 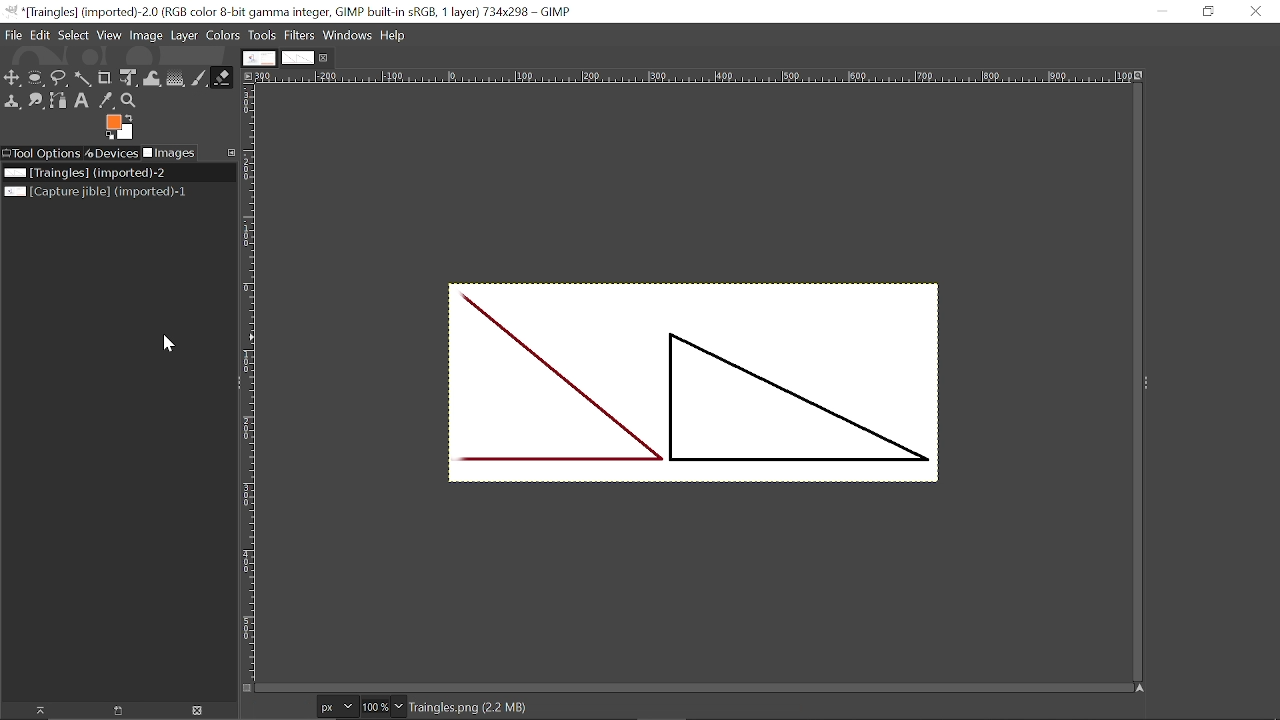 What do you see at coordinates (168, 342) in the screenshot?
I see `Cursor` at bounding box center [168, 342].